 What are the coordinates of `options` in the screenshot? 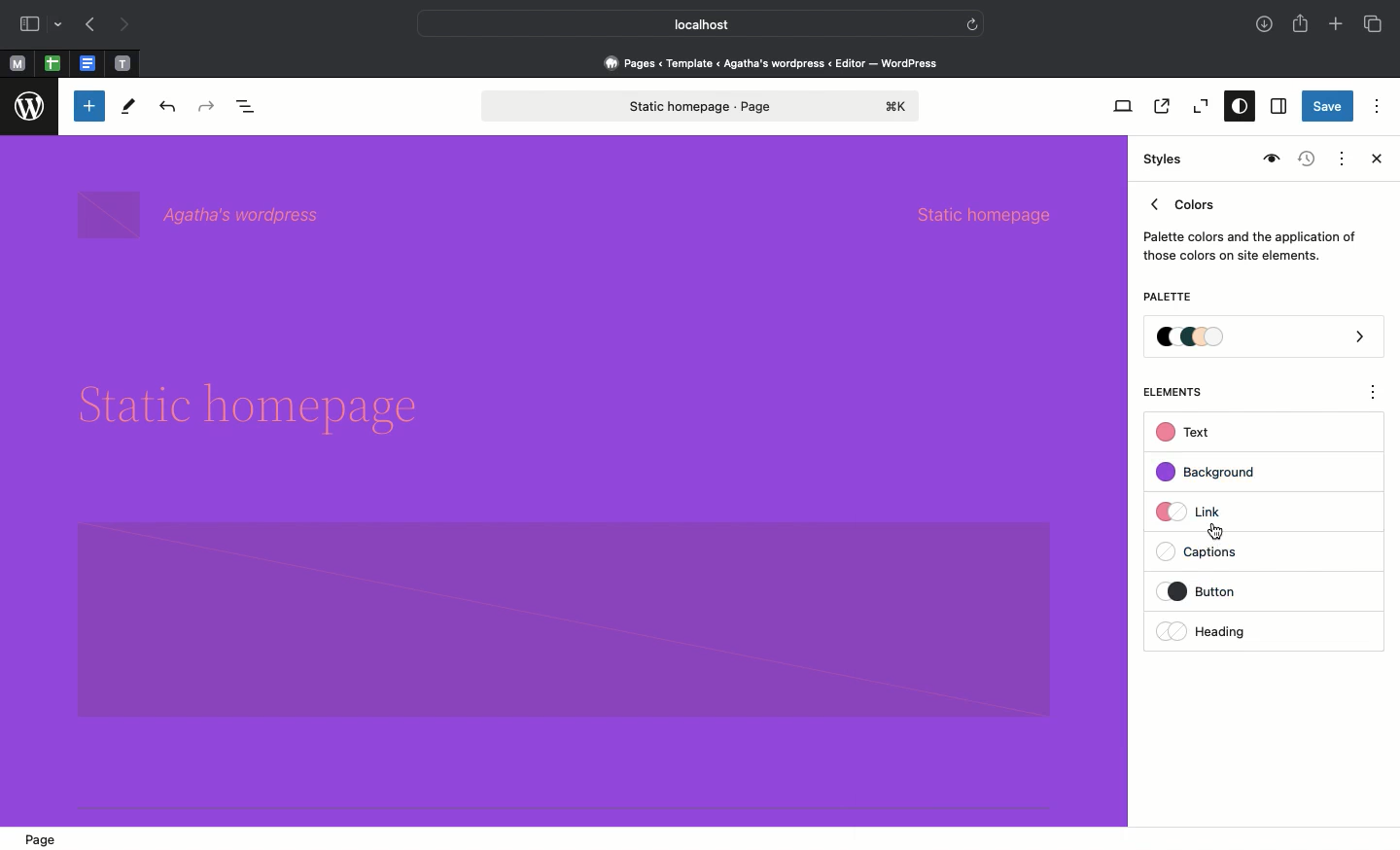 It's located at (1374, 395).